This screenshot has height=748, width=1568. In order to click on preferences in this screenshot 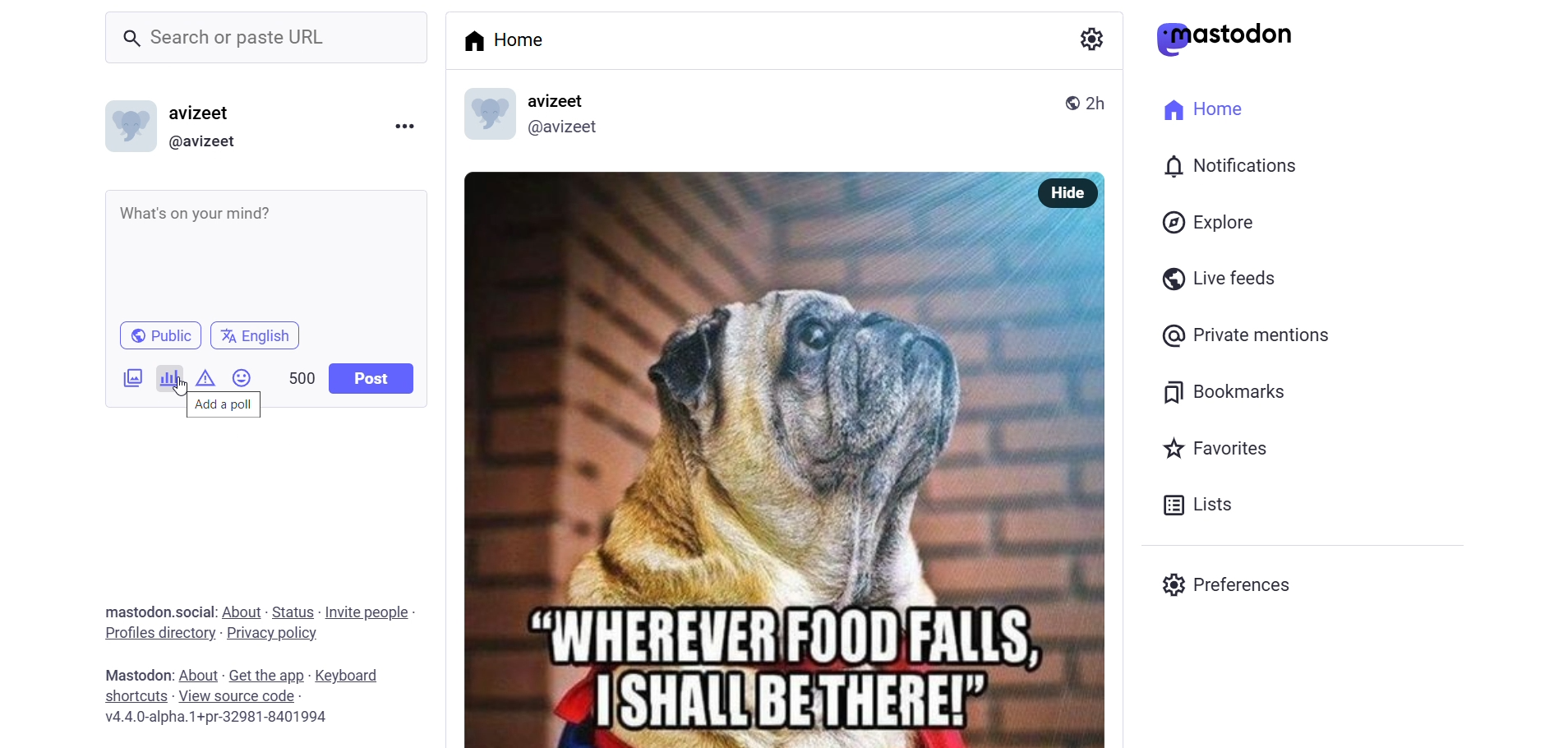, I will do `click(1231, 582)`.